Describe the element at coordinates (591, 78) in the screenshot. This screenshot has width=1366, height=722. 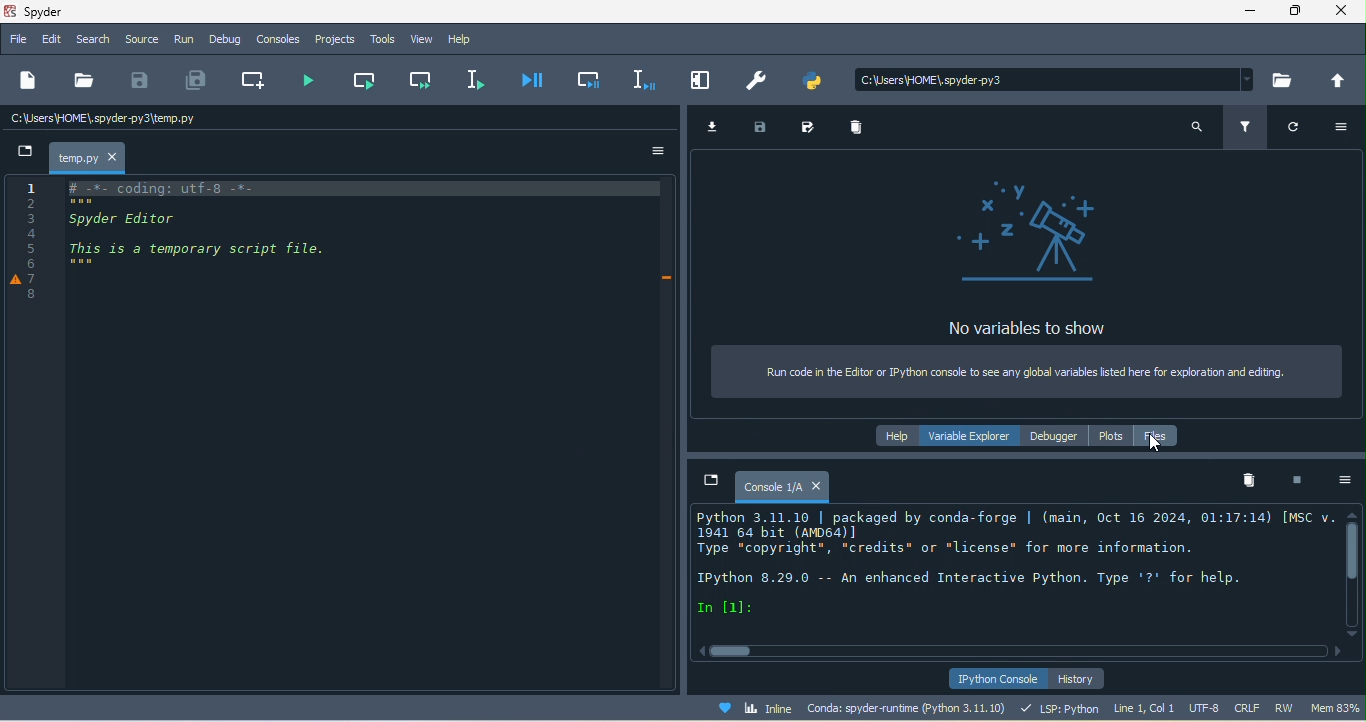
I see `debug cell` at that location.